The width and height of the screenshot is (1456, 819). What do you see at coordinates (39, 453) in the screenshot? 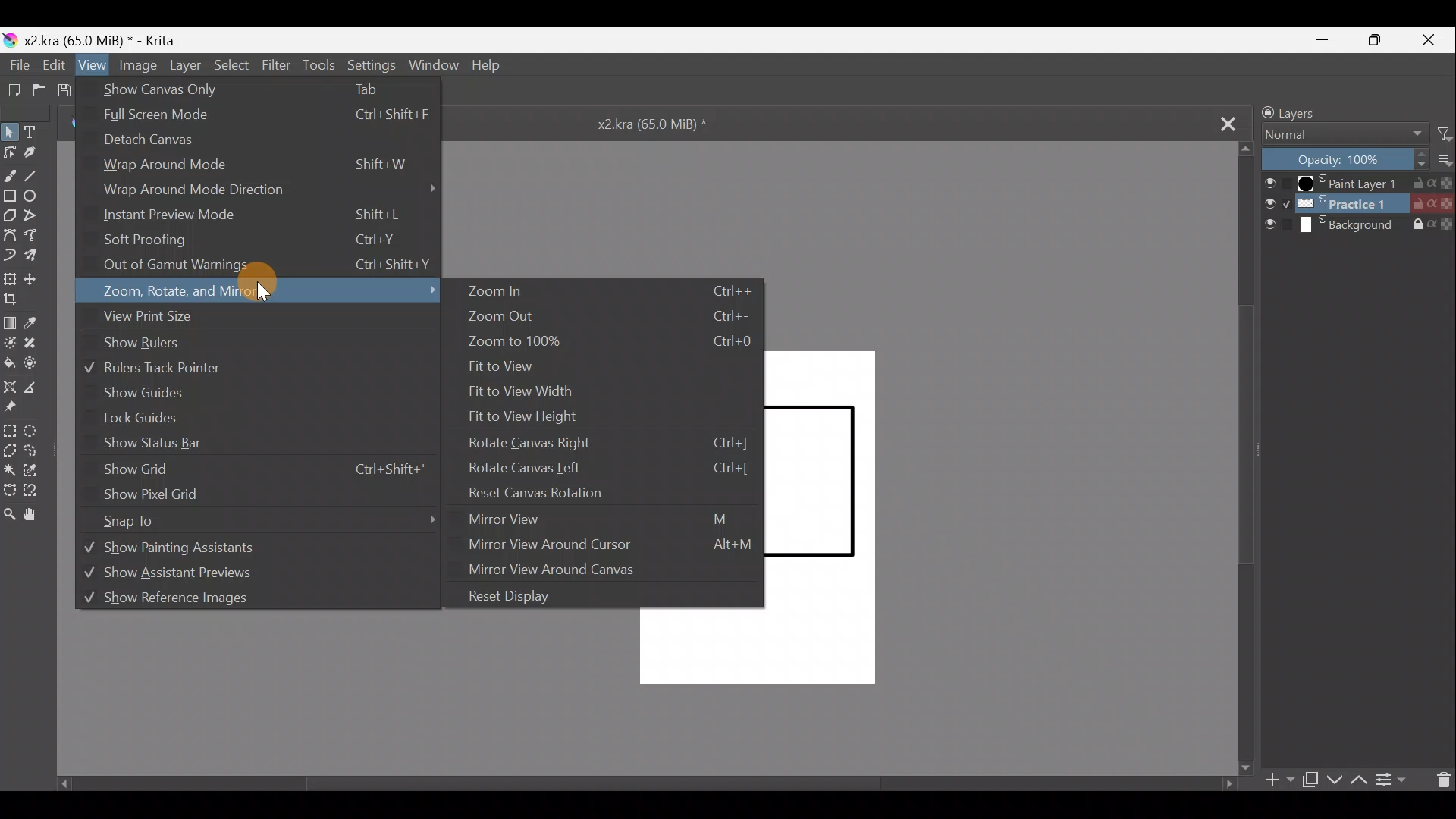
I see `Freehand selection tool` at bounding box center [39, 453].